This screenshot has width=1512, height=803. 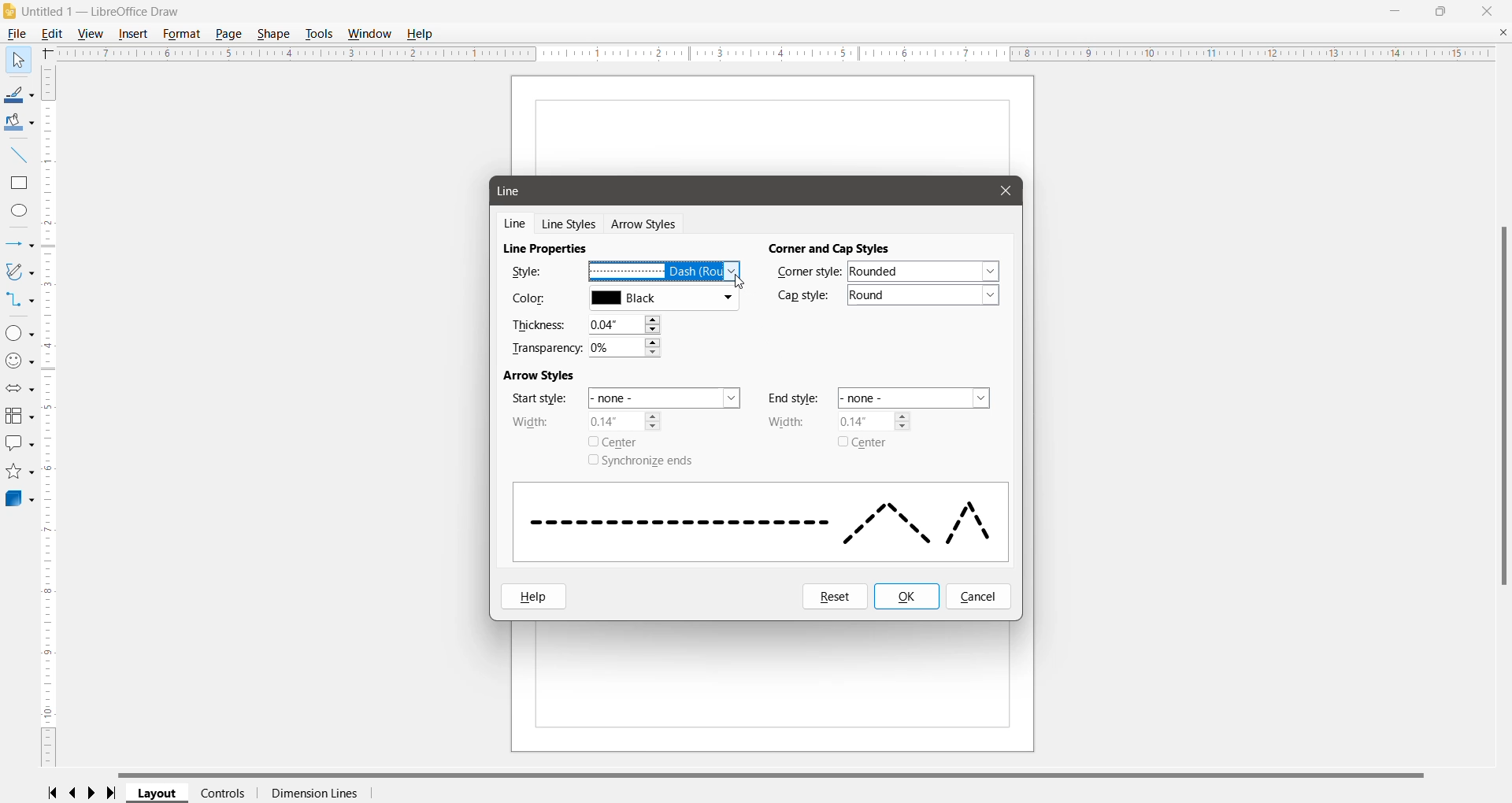 I want to click on Fill Color, so click(x=20, y=124).